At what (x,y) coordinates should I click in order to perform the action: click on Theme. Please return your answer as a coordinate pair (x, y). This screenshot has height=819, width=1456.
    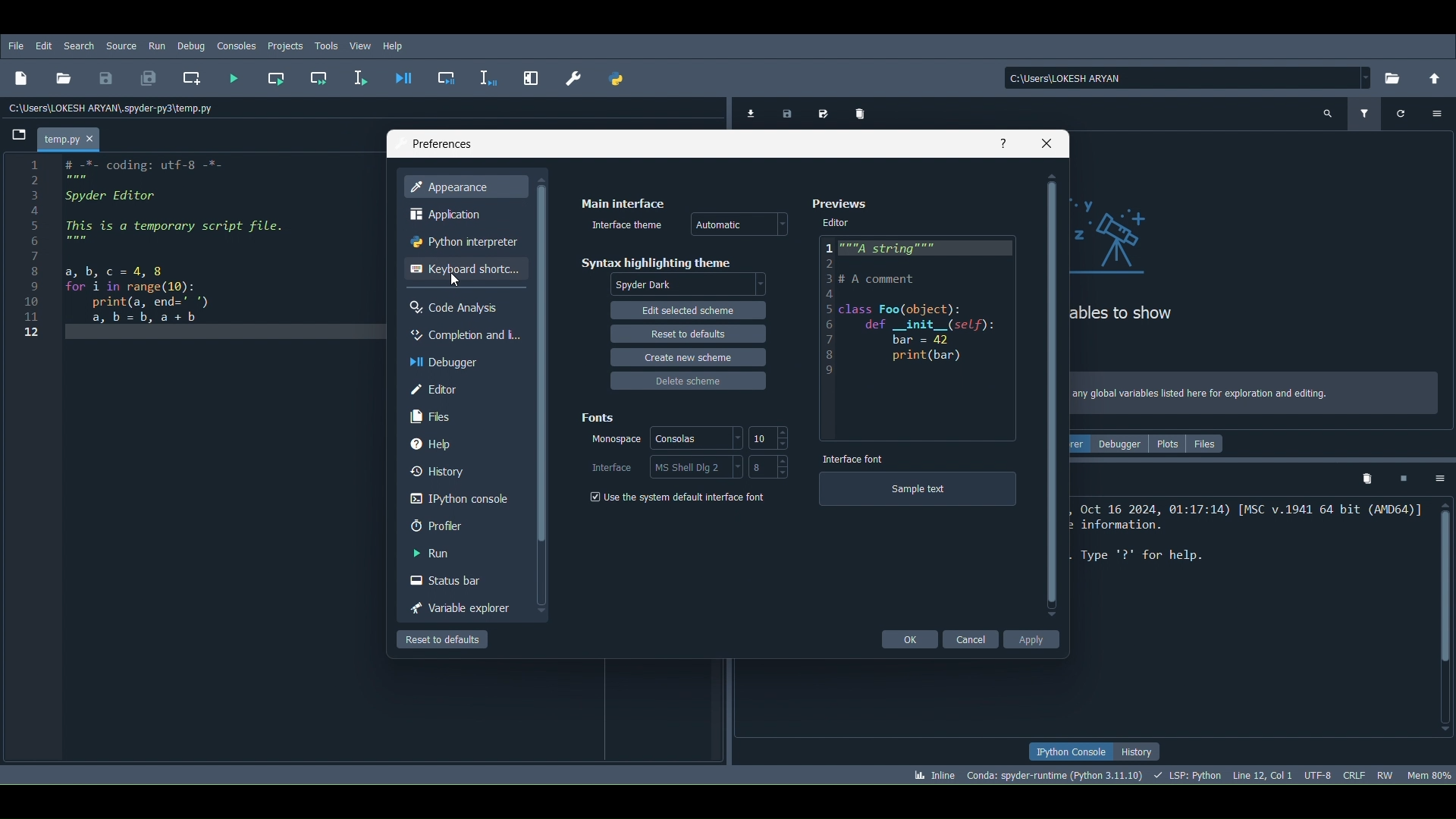
    Looking at the image, I should click on (691, 284).